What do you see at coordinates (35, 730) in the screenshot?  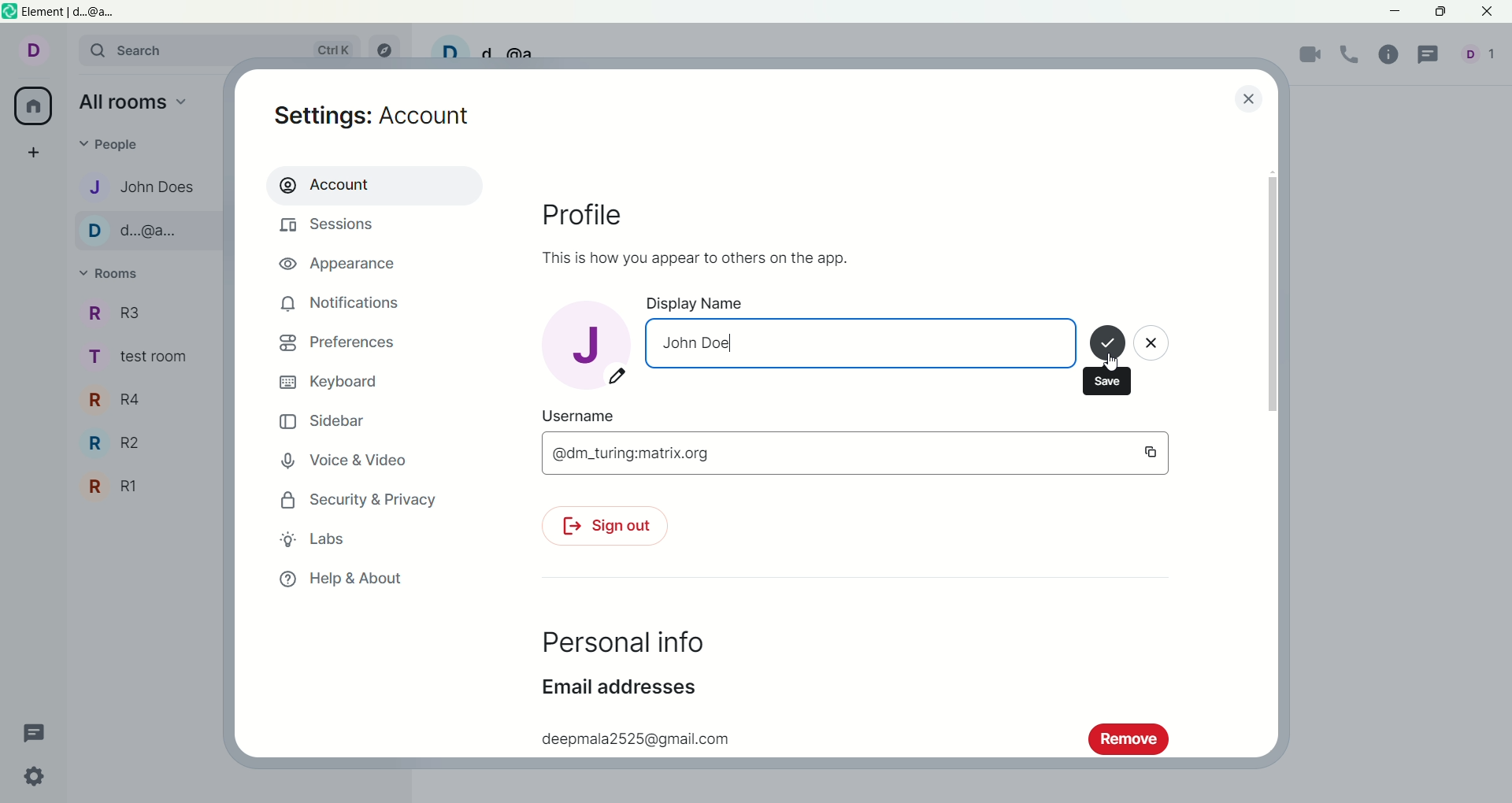 I see `threads` at bounding box center [35, 730].